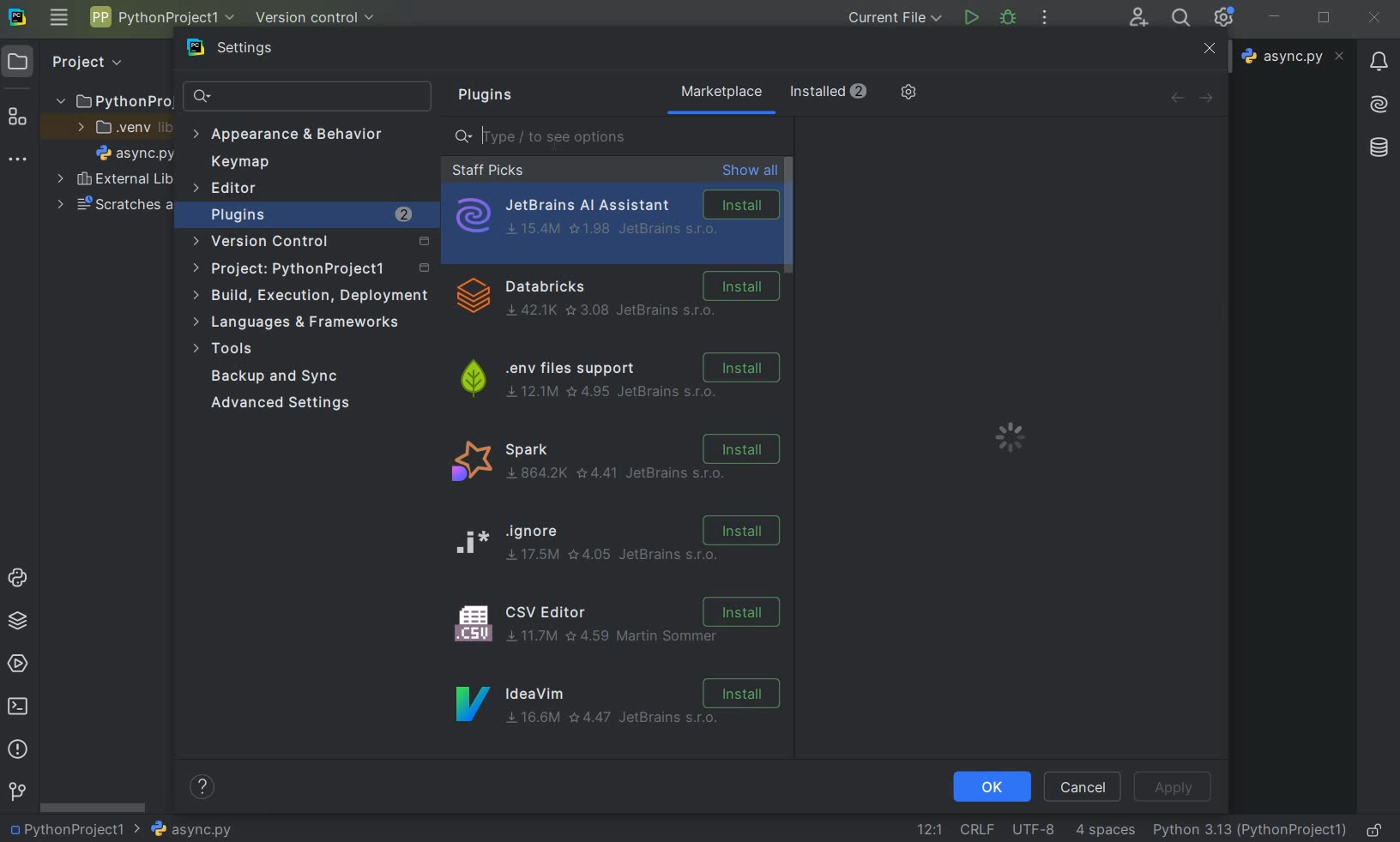 The width and height of the screenshot is (1400, 842). Describe the element at coordinates (311, 244) in the screenshot. I see `version control` at that location.